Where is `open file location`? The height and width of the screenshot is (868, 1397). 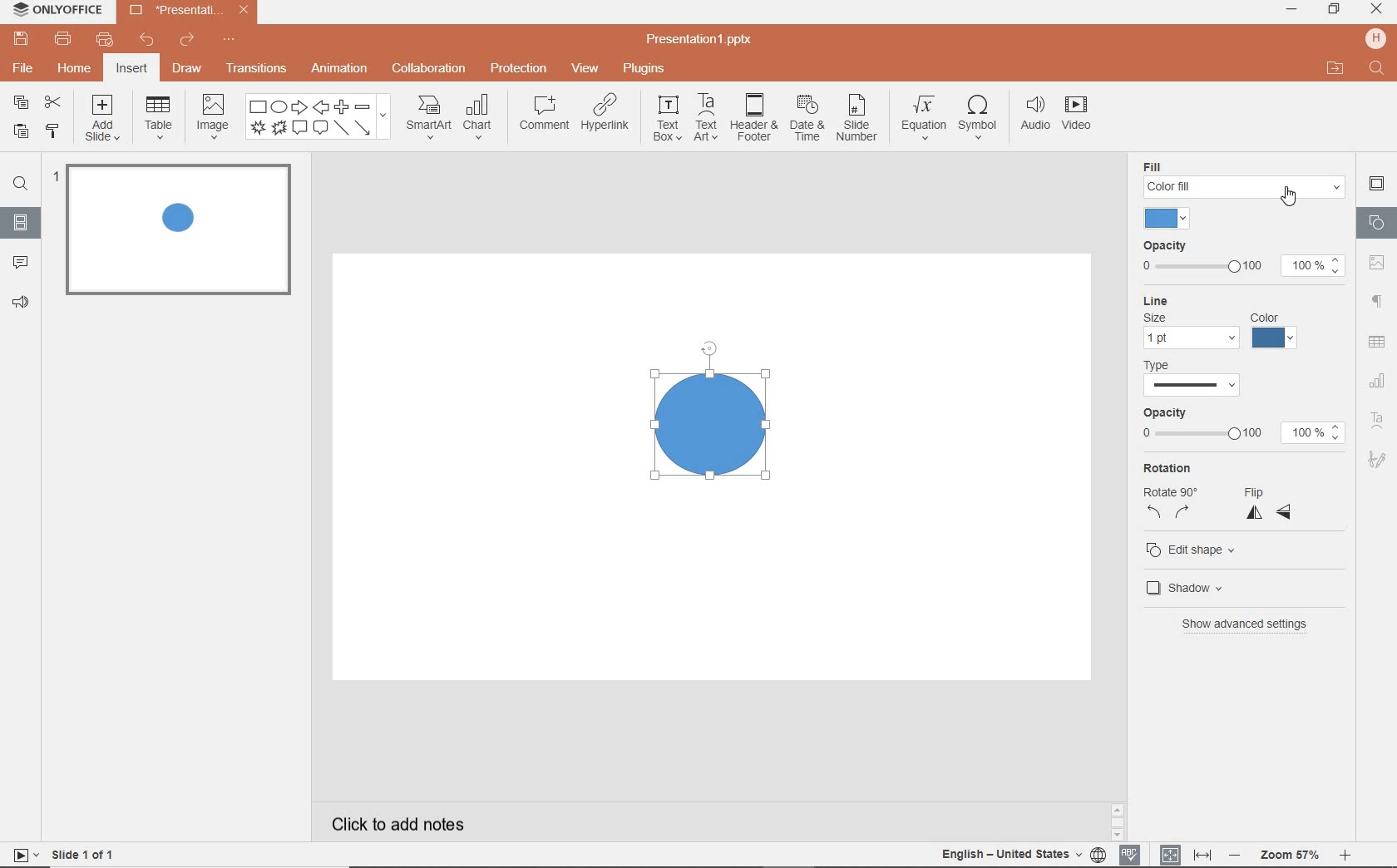
open file location is located at coordinates (1337, 70).